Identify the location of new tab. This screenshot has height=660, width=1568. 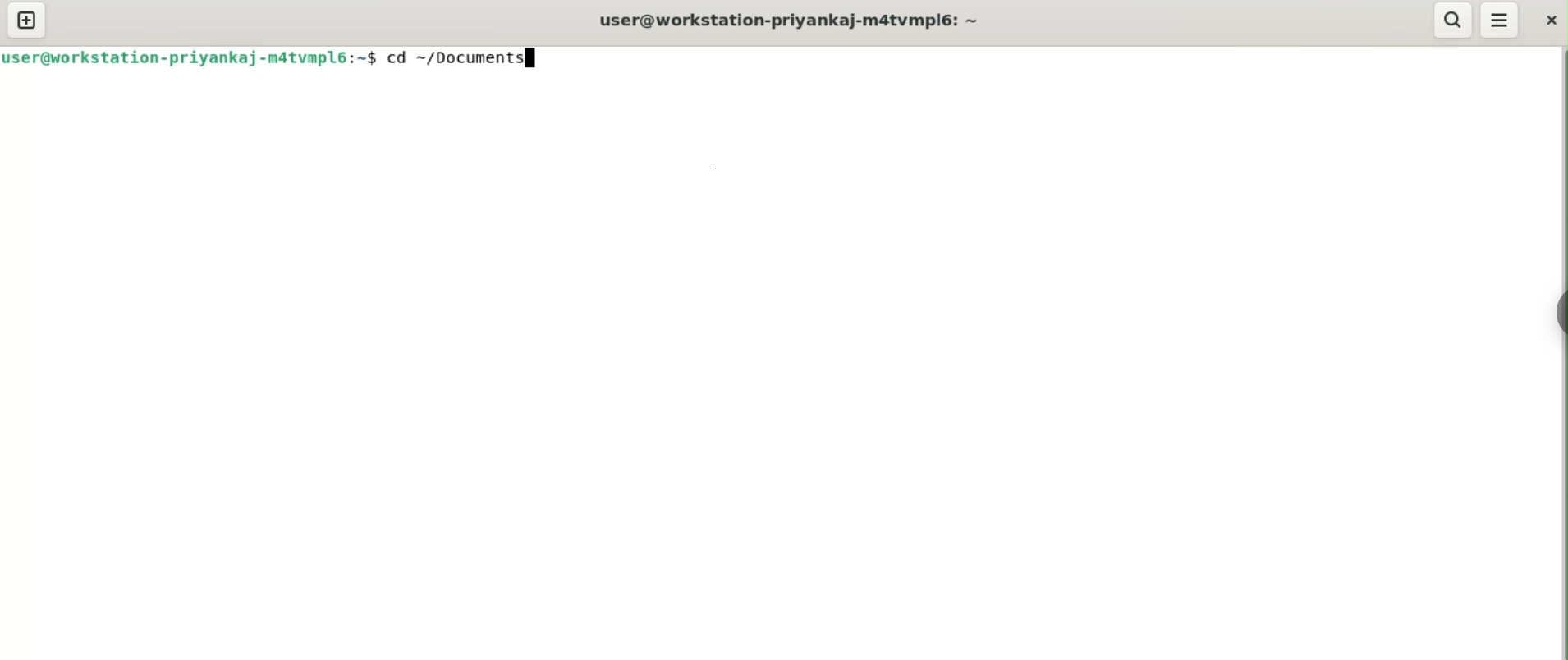
(27, 21).